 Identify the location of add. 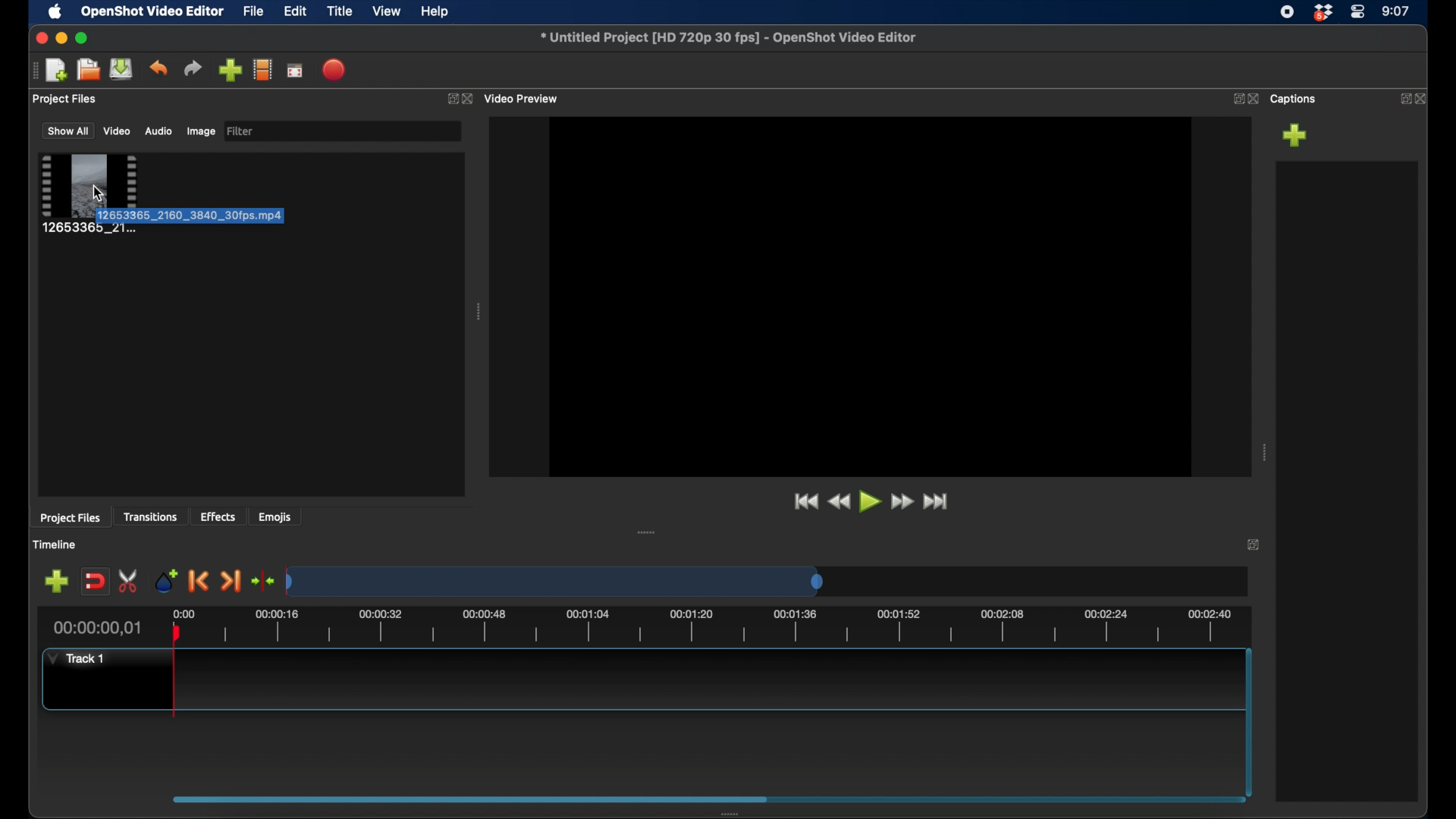
(1295, 135).